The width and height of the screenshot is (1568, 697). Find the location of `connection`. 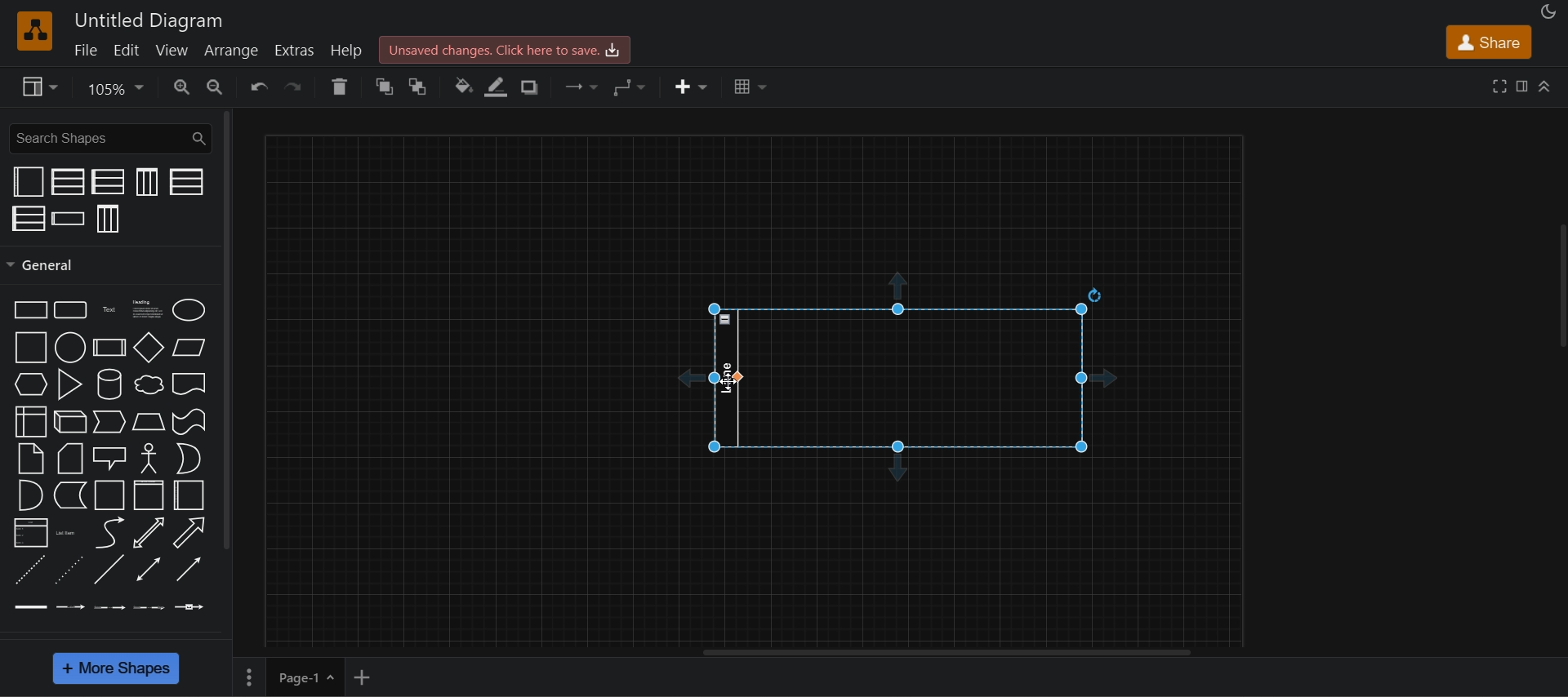

connection is located at coordinates (584, 87).